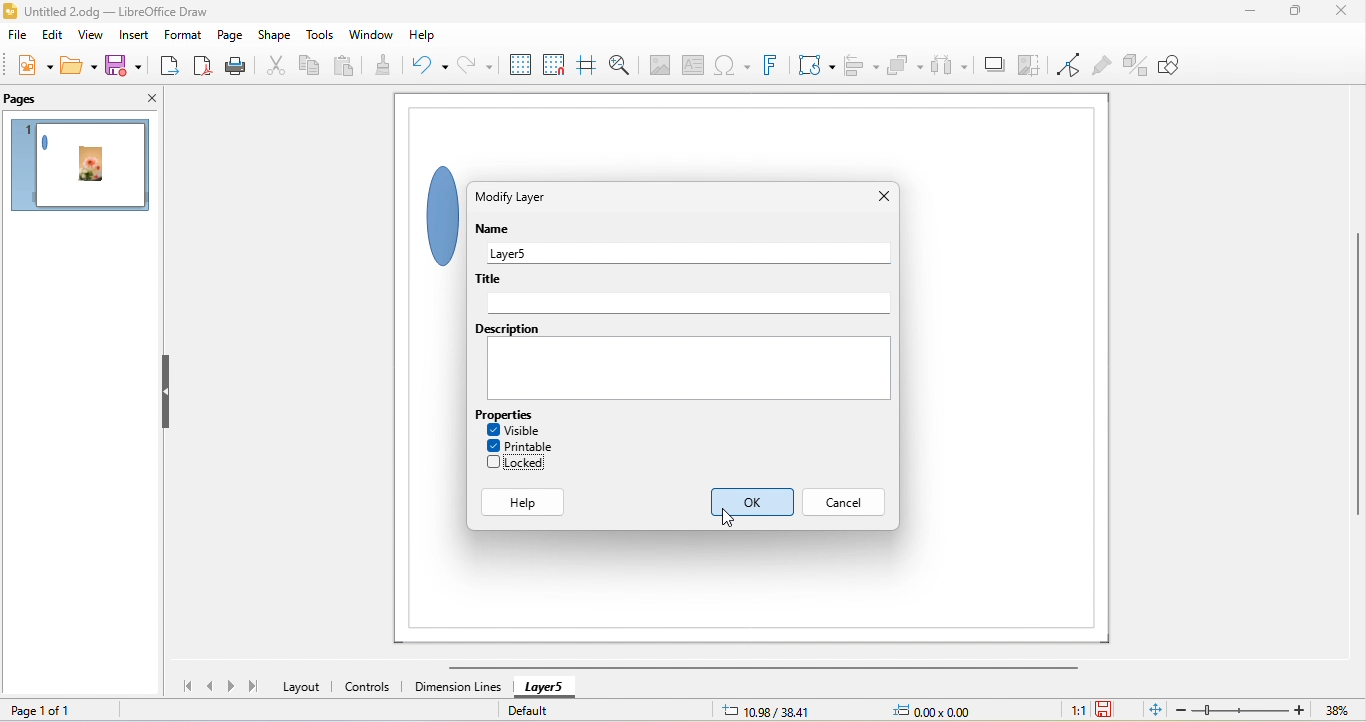  Describe the element at coordinates (254, 685) in the screenshot. I see `last page` at that location.